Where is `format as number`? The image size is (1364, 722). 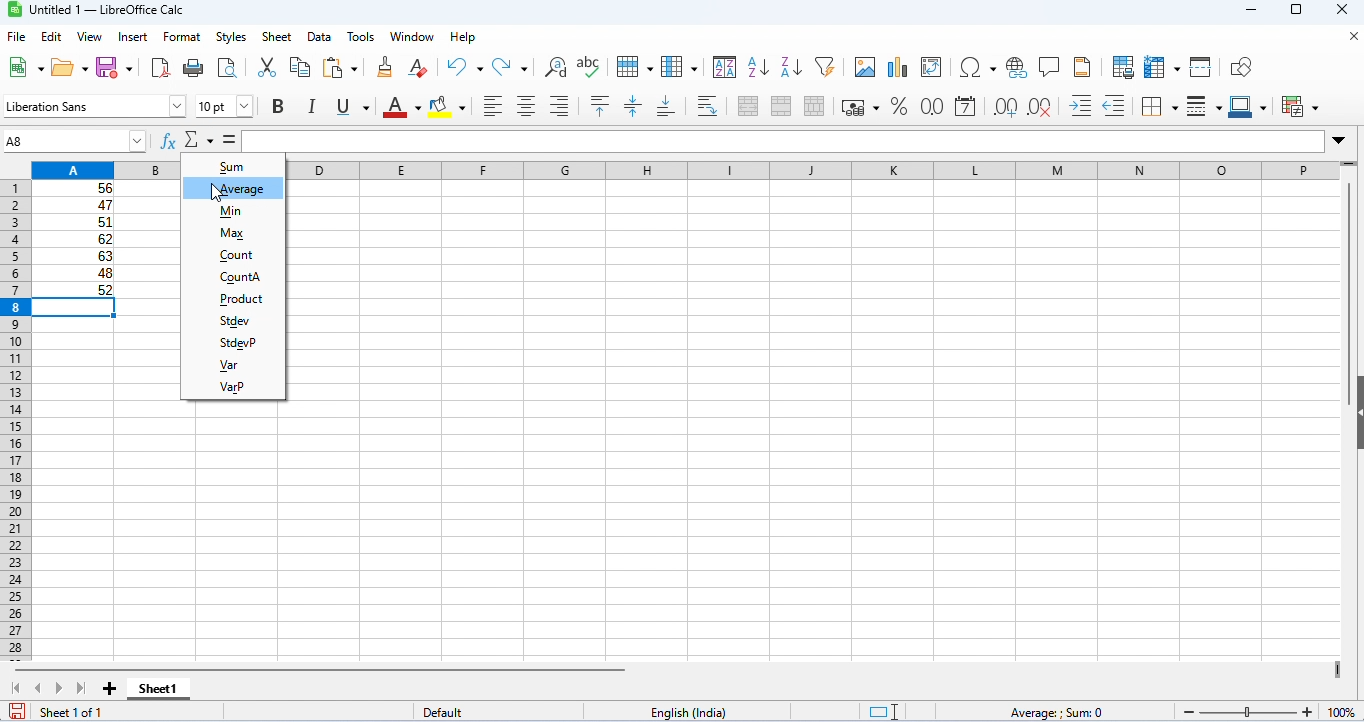
format as number is located at coordinates (930, 106).